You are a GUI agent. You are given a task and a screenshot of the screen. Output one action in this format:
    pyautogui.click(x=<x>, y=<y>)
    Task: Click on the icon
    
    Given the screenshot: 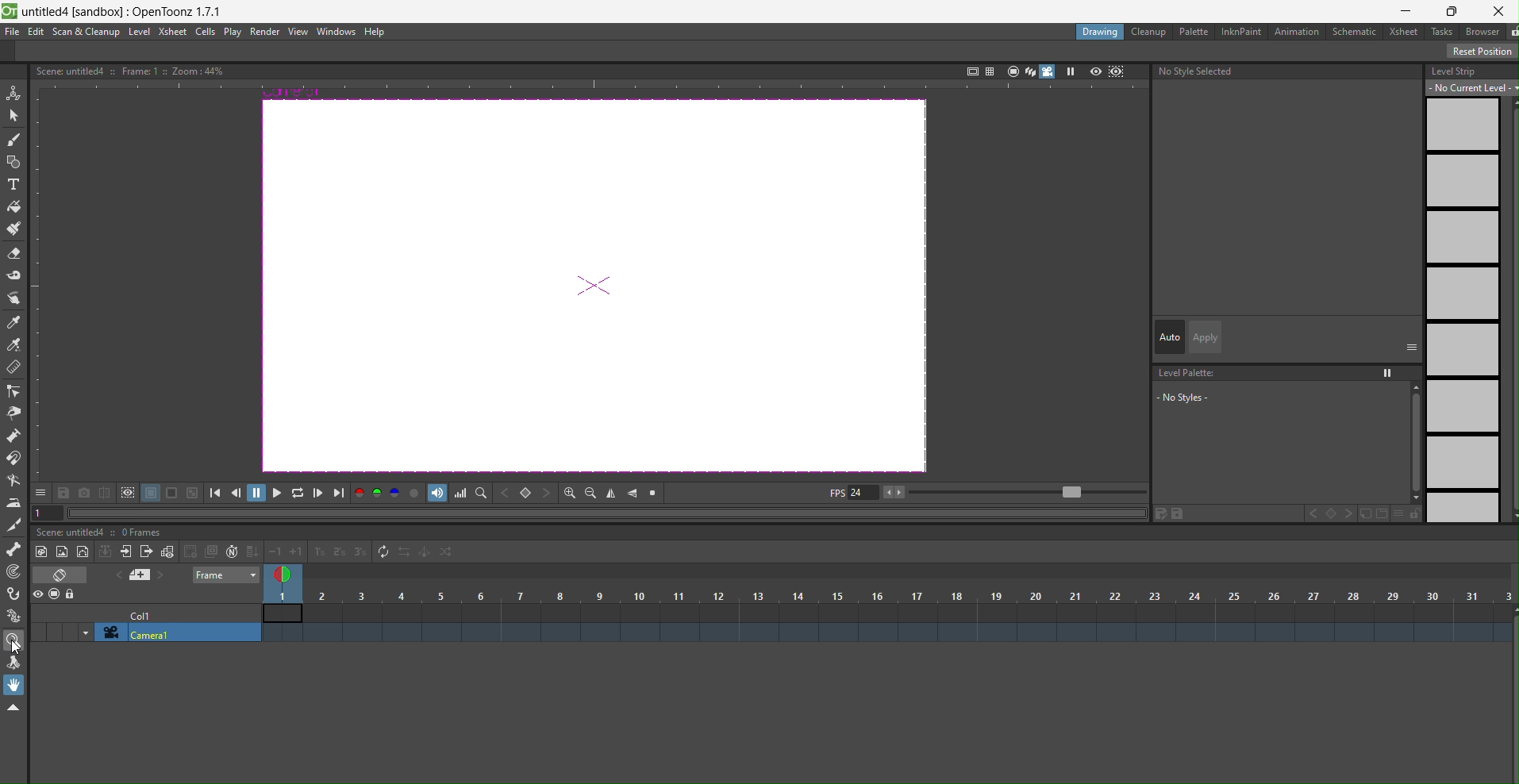 What is the action you would take?
    pyautogui.click(x=129, y=494)
    